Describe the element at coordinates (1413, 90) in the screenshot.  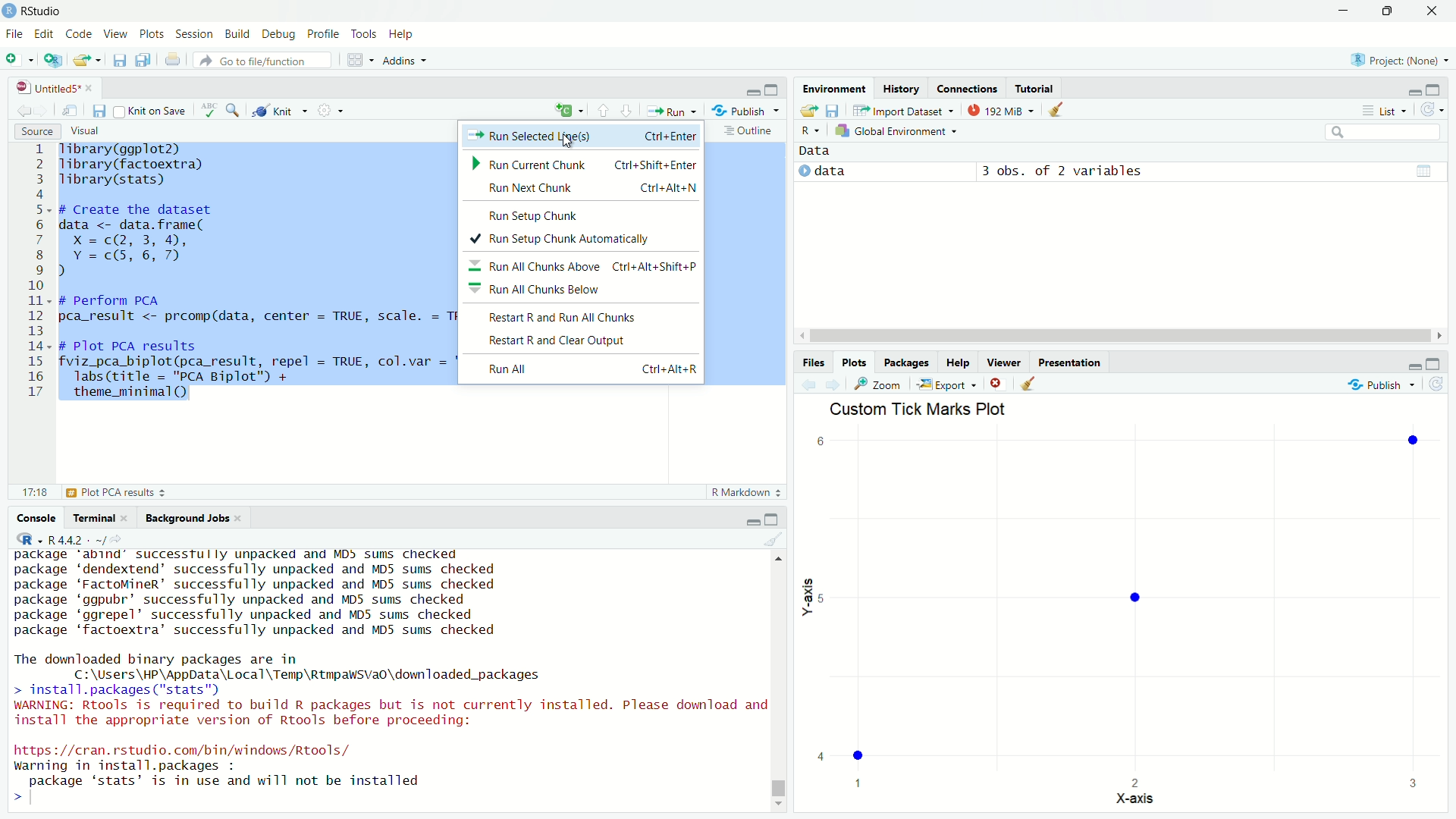
I see `minimize` at that location.